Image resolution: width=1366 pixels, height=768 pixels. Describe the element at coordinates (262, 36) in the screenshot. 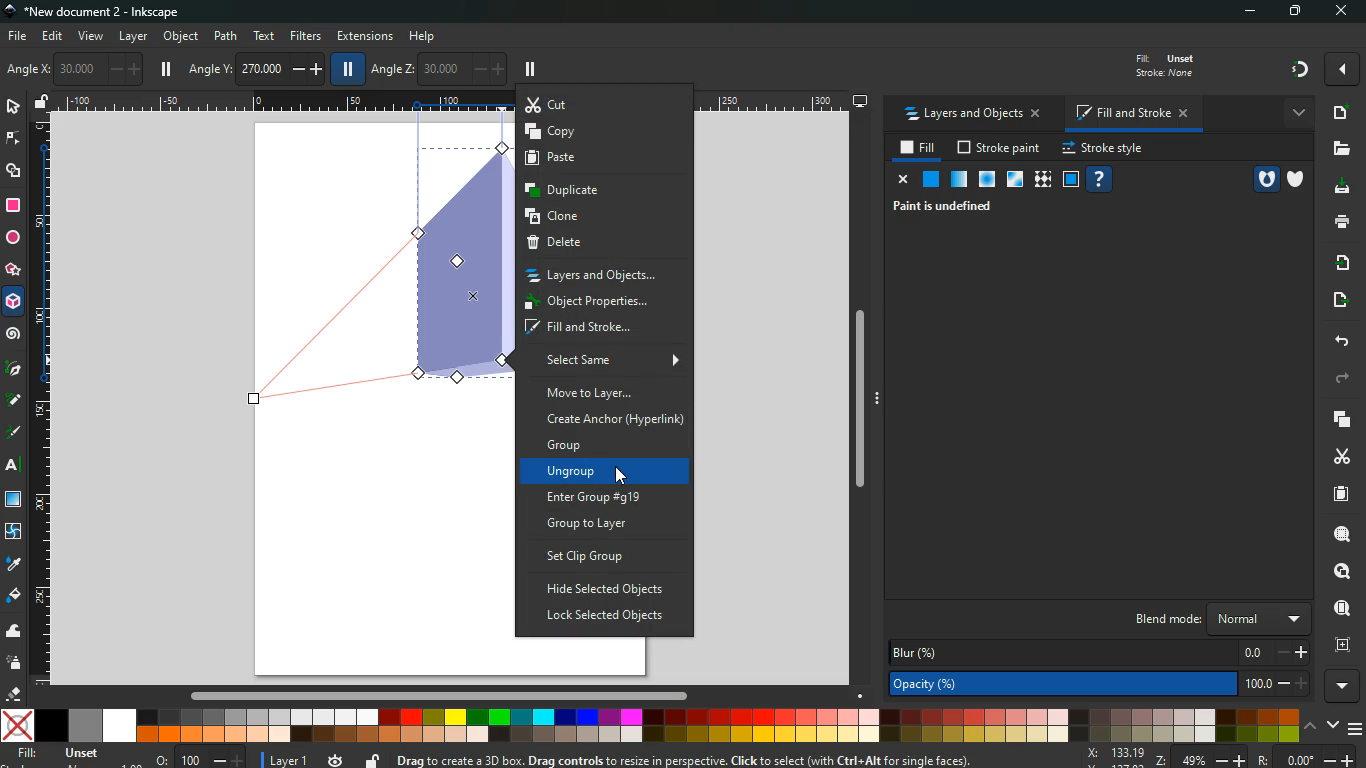

I see `text` at that location.